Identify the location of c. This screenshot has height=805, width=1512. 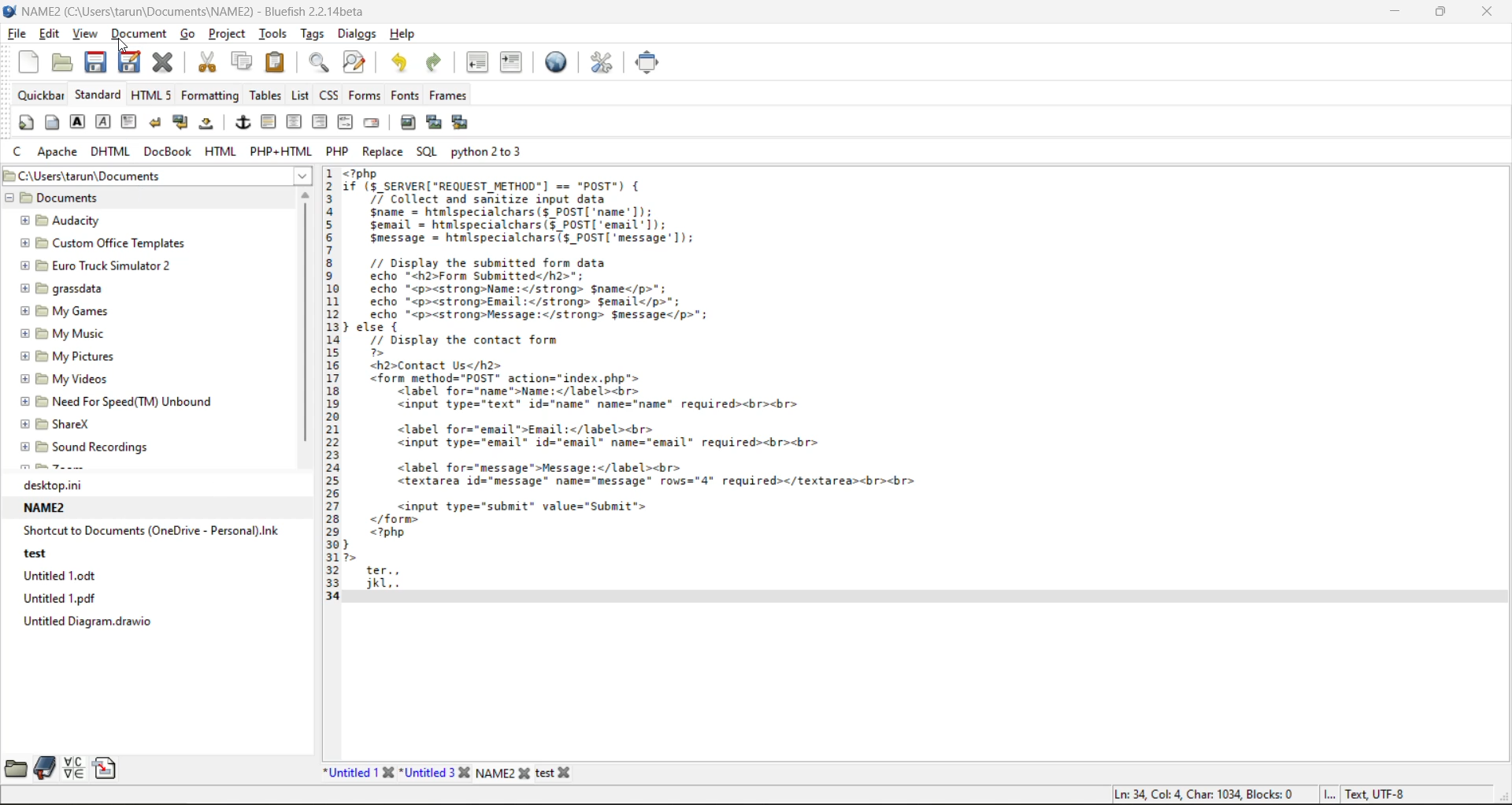
(20, 150).